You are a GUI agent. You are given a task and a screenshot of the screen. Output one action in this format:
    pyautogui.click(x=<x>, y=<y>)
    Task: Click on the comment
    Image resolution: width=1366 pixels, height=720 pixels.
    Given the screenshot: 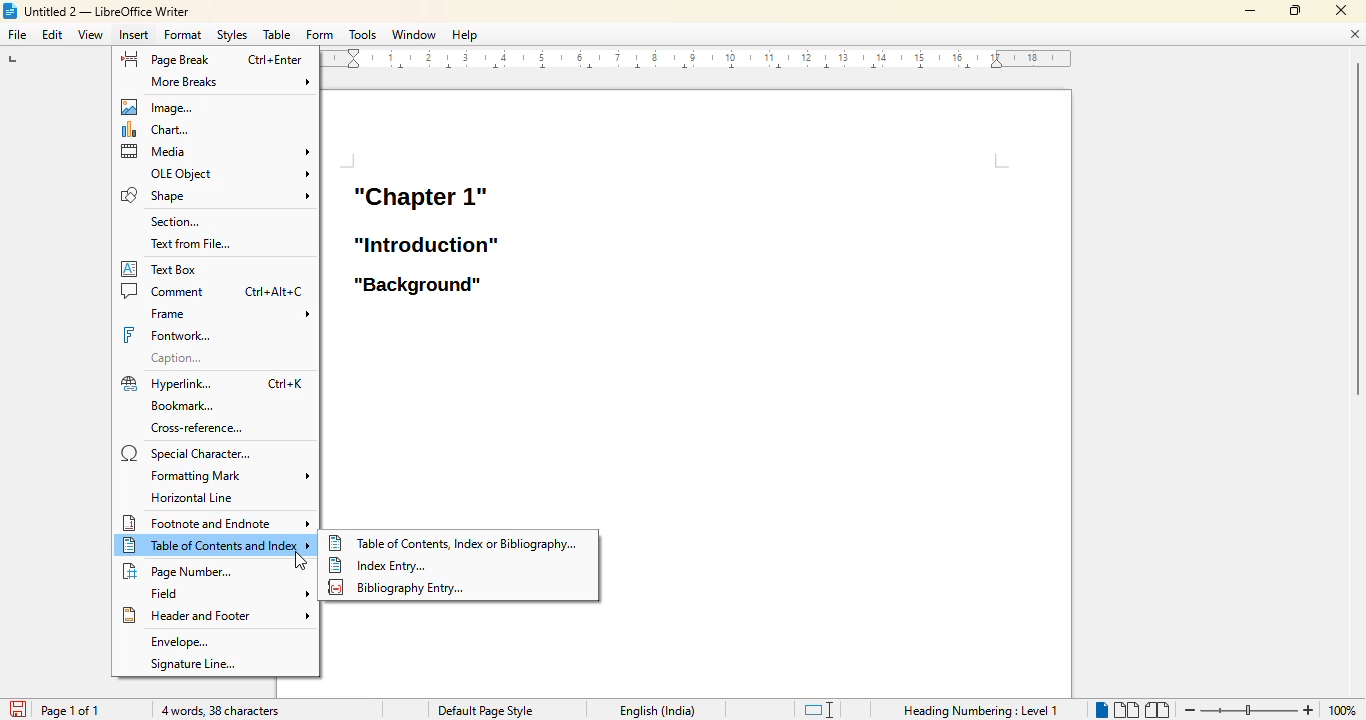 What is the action you would take?
    pyautogui.click(x=164, y=293)
    